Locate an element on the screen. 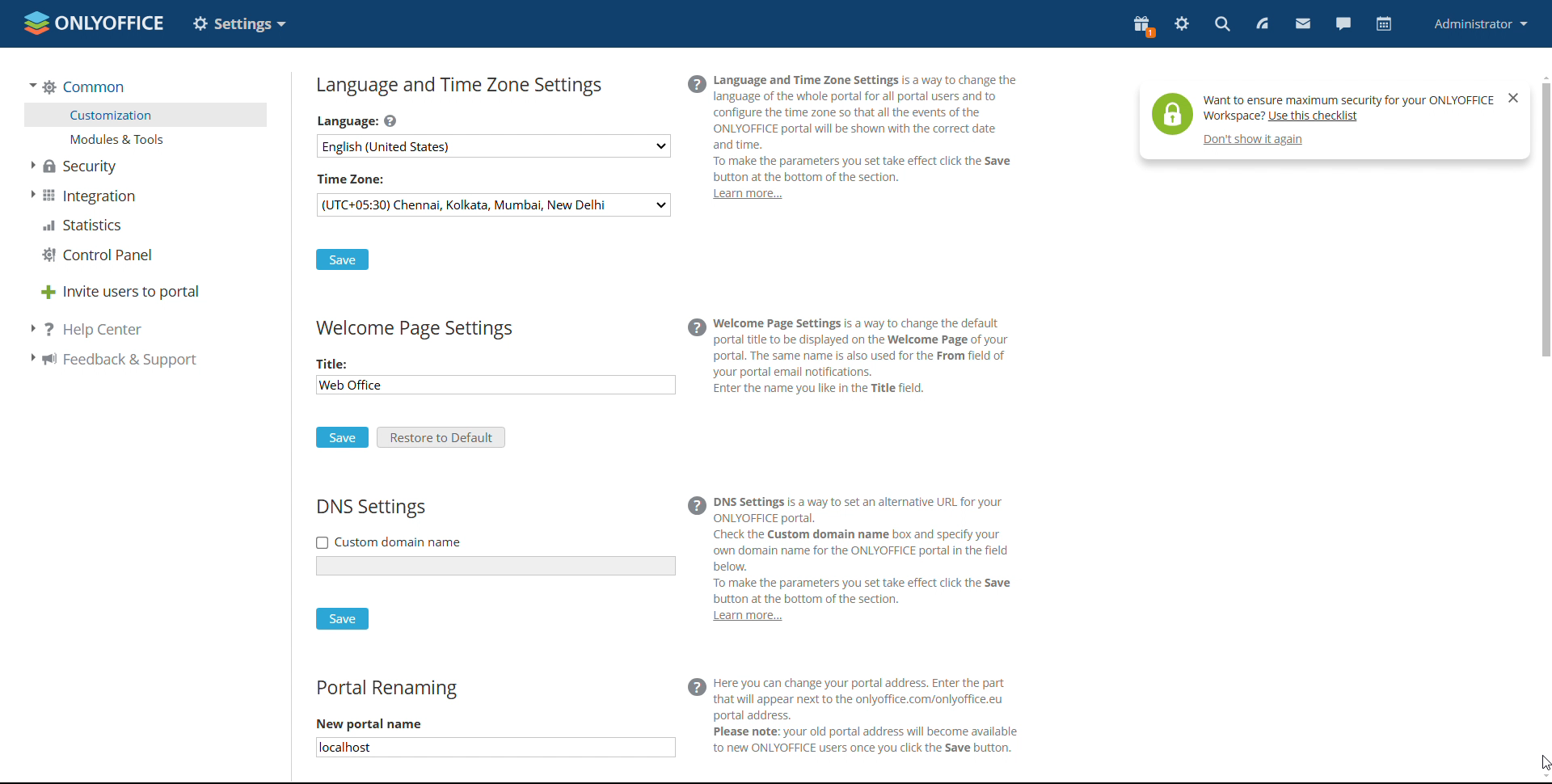 This screenshot has height=784, width=1552. scrollbar is located at coordinates (1546, 220).